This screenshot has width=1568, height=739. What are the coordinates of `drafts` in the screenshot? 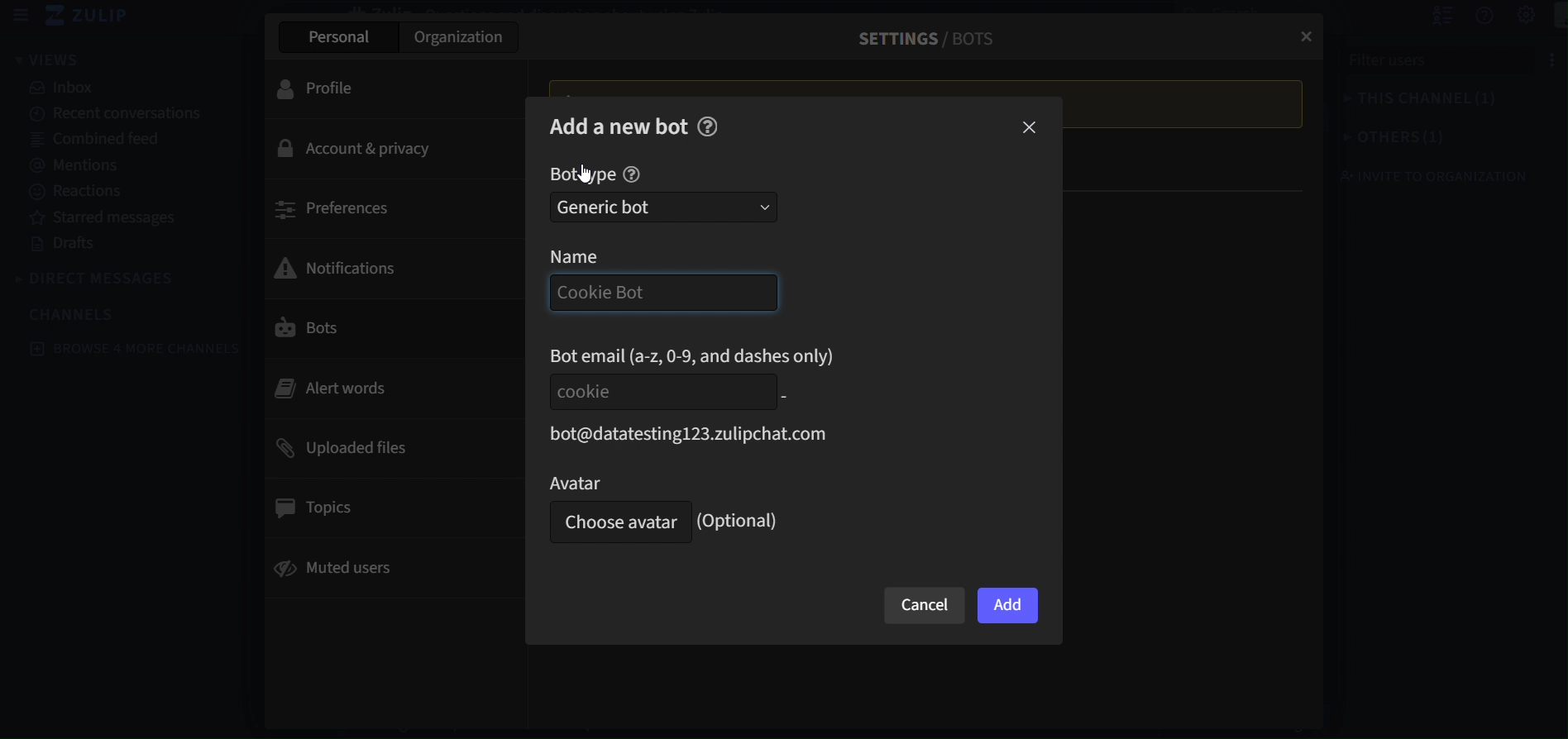 It's located at (65, 245).